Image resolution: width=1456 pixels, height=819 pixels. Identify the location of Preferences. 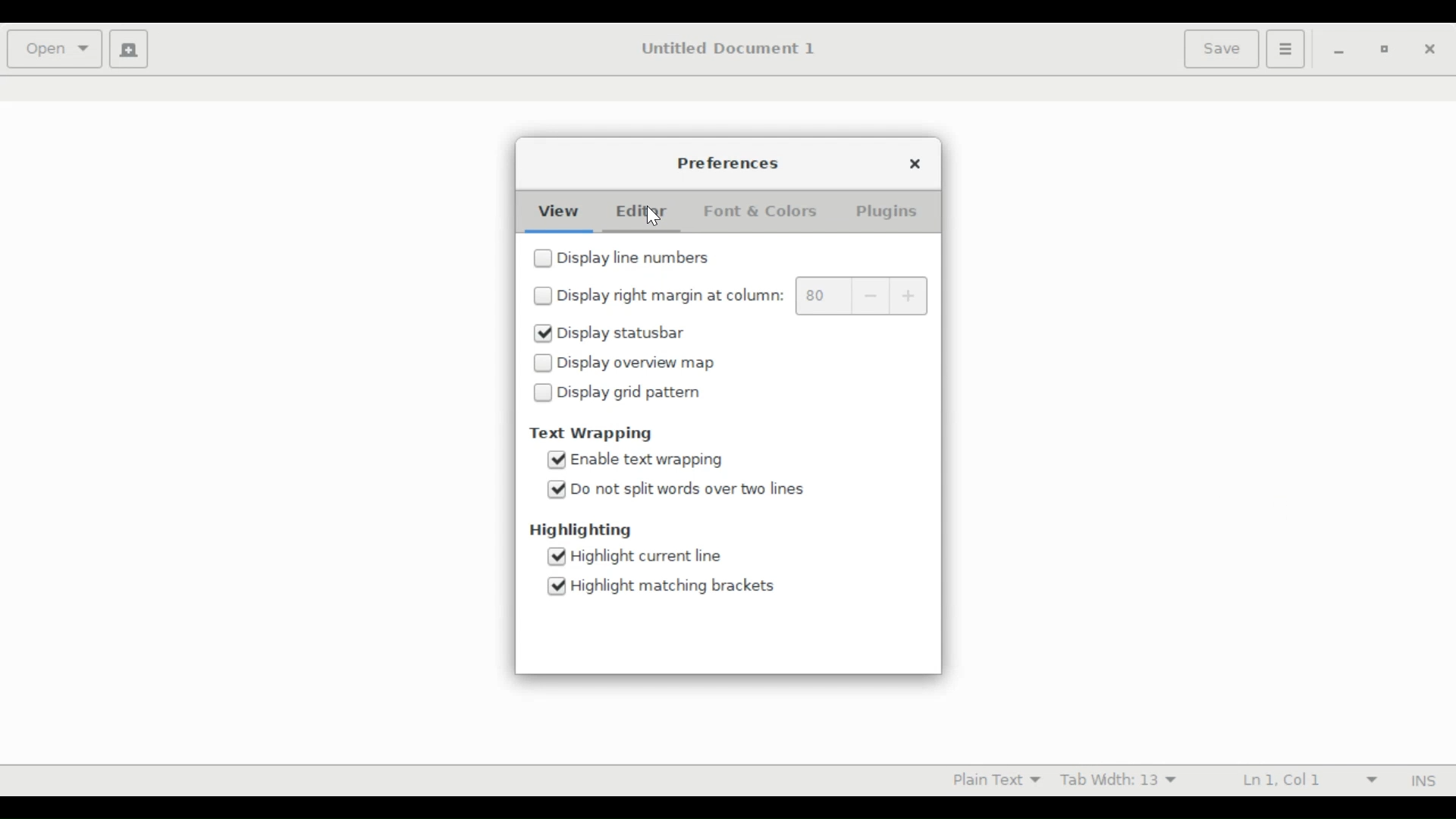
(729, 162).